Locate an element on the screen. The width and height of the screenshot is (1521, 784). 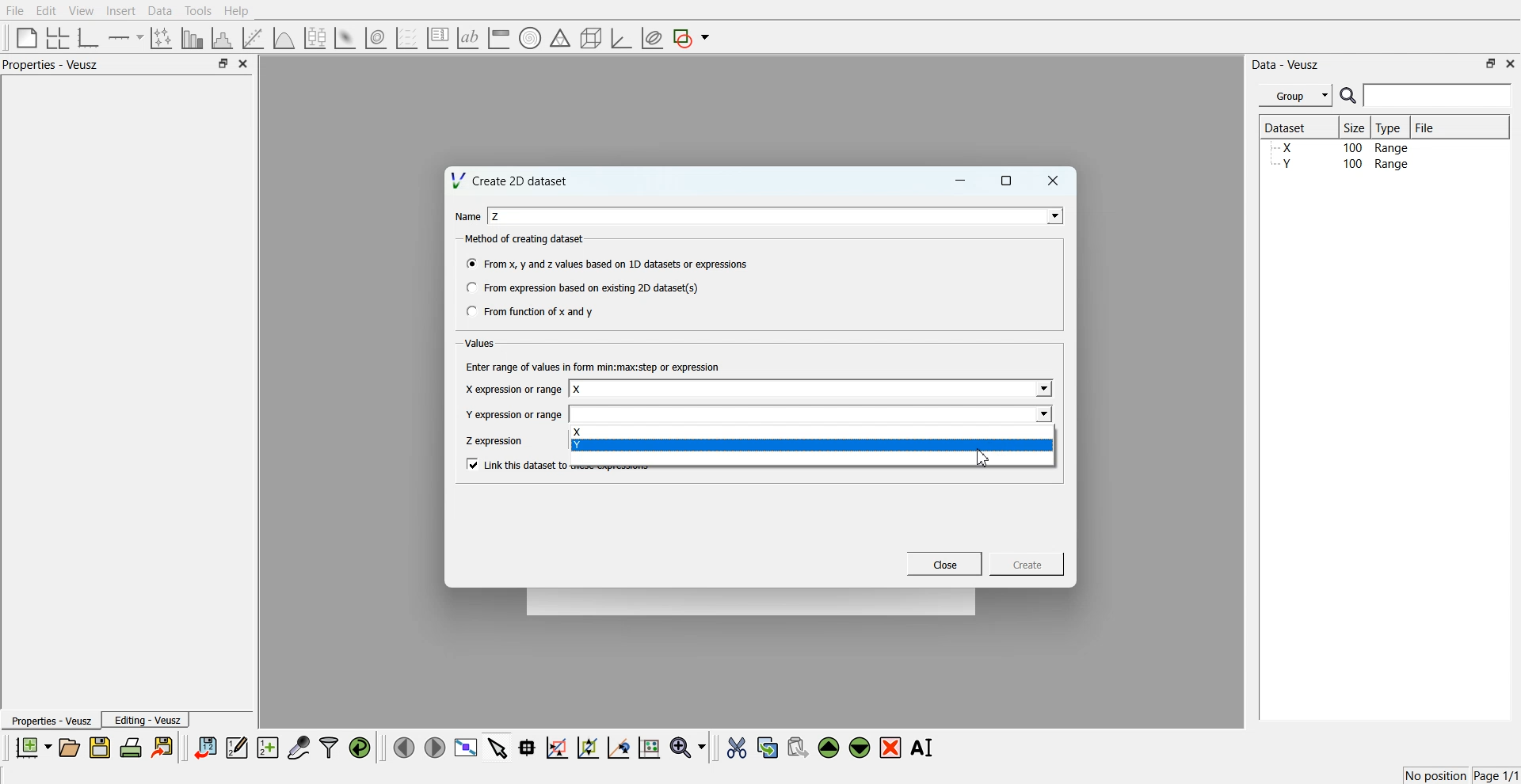
File is located at coordinates (15, 10).